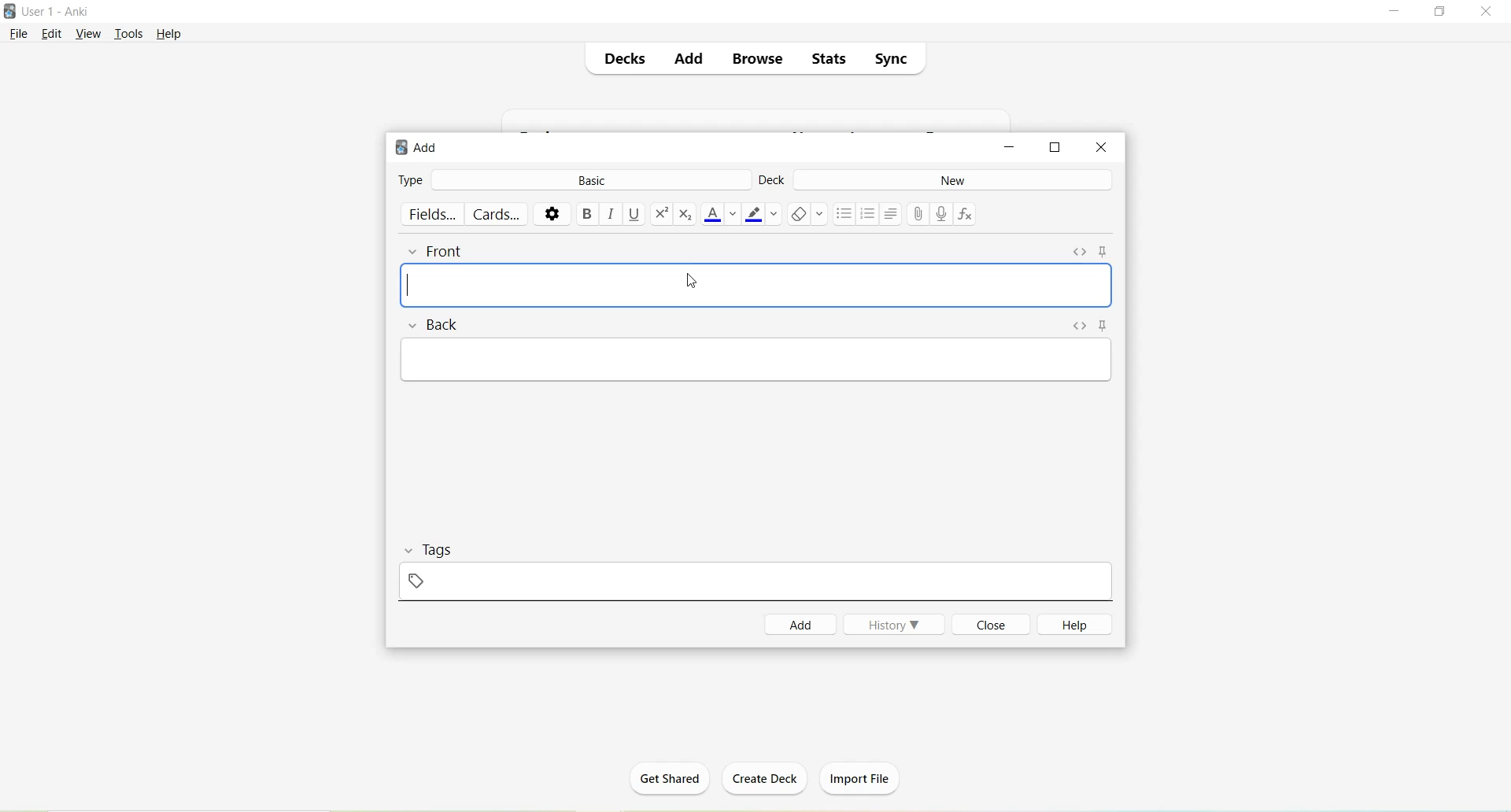 This screenshot has height=812, width=1511. What do you see at coordinates (721, 215) in the screenshot?
I see `Text color` at bounding box center [721, 215].